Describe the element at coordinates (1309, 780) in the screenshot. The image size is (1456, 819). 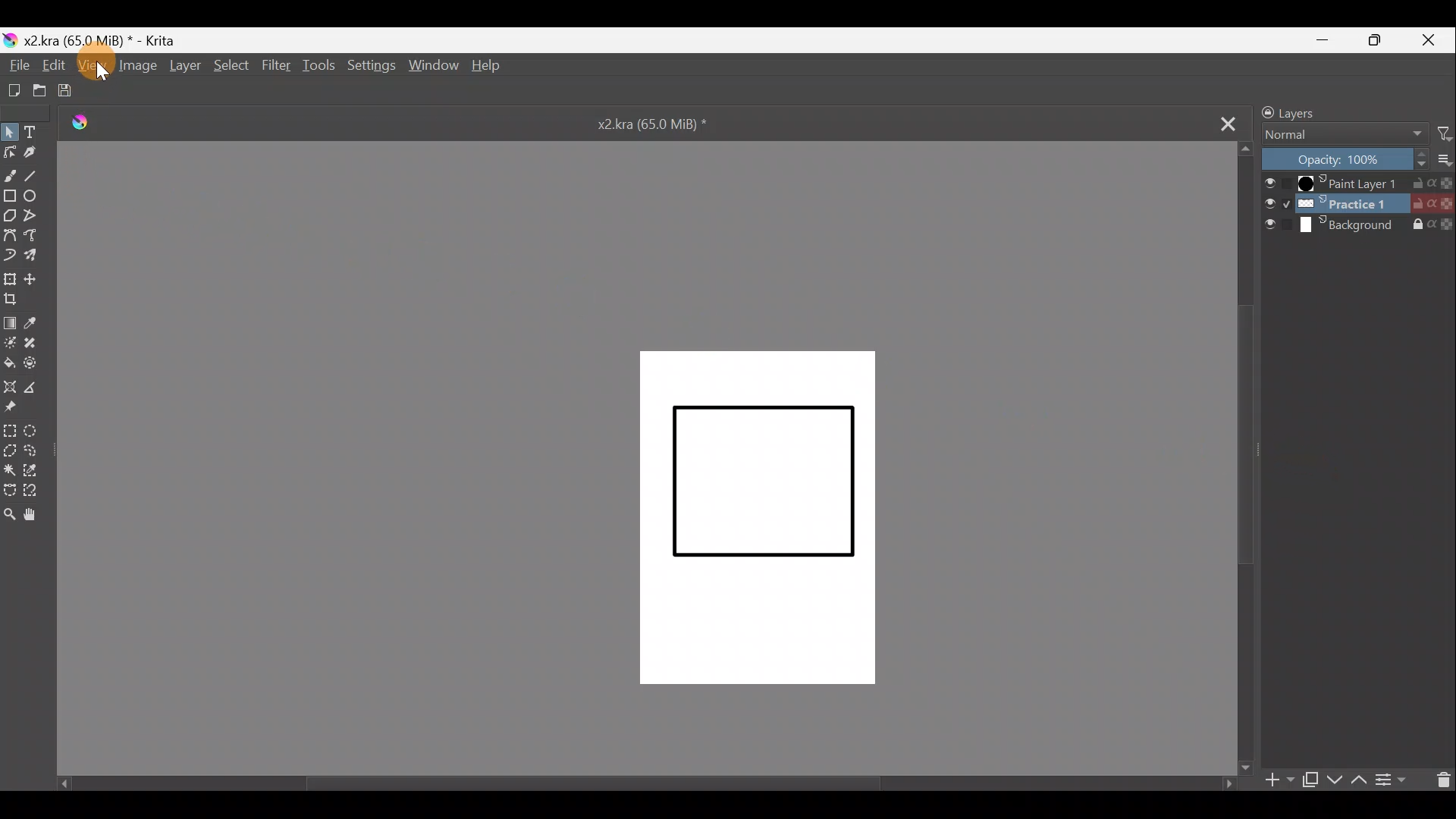
I see `Duplicate layer/mask` at that location.